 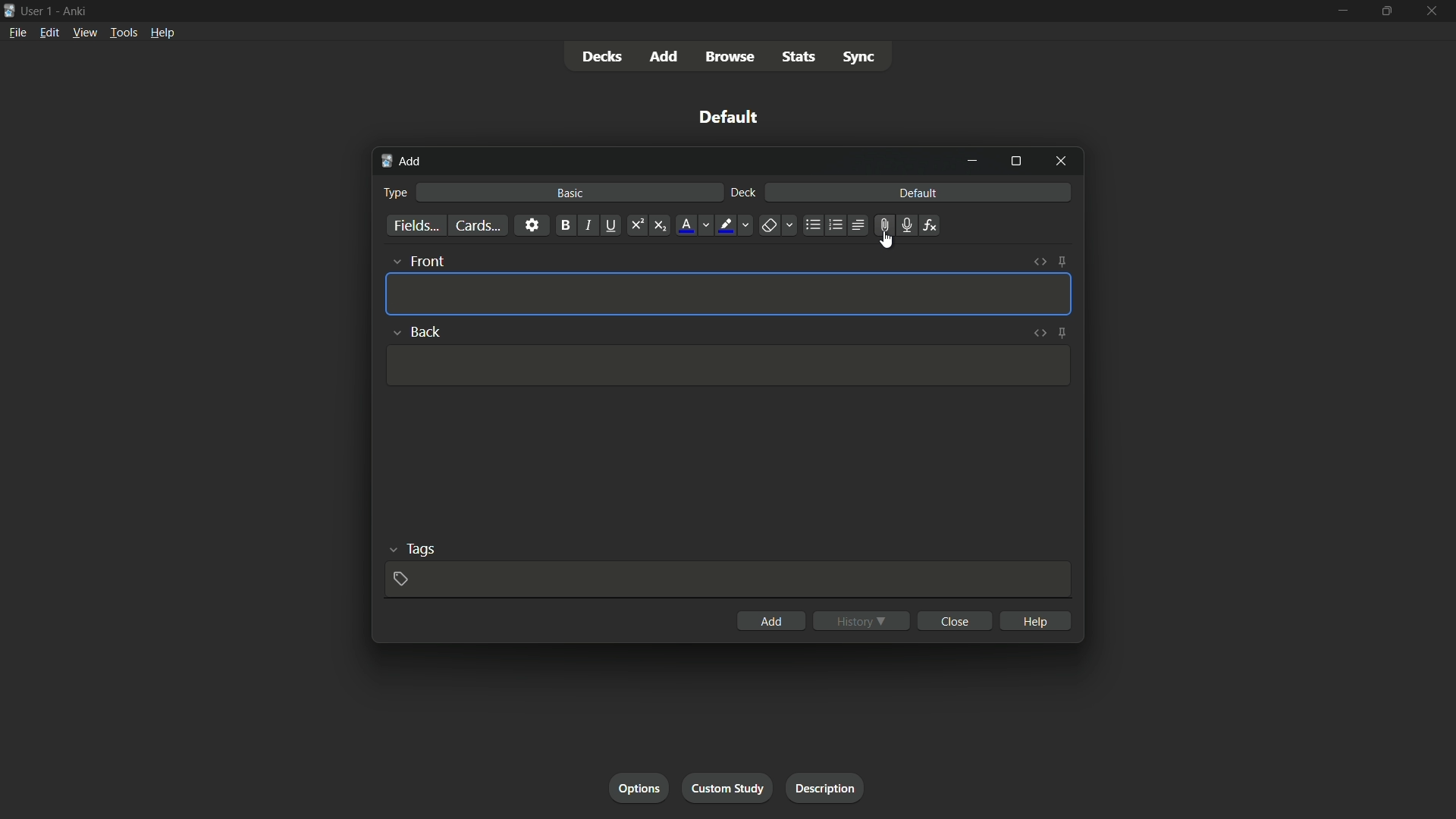 I want to click on maximize, so click(x=1015, y=162).